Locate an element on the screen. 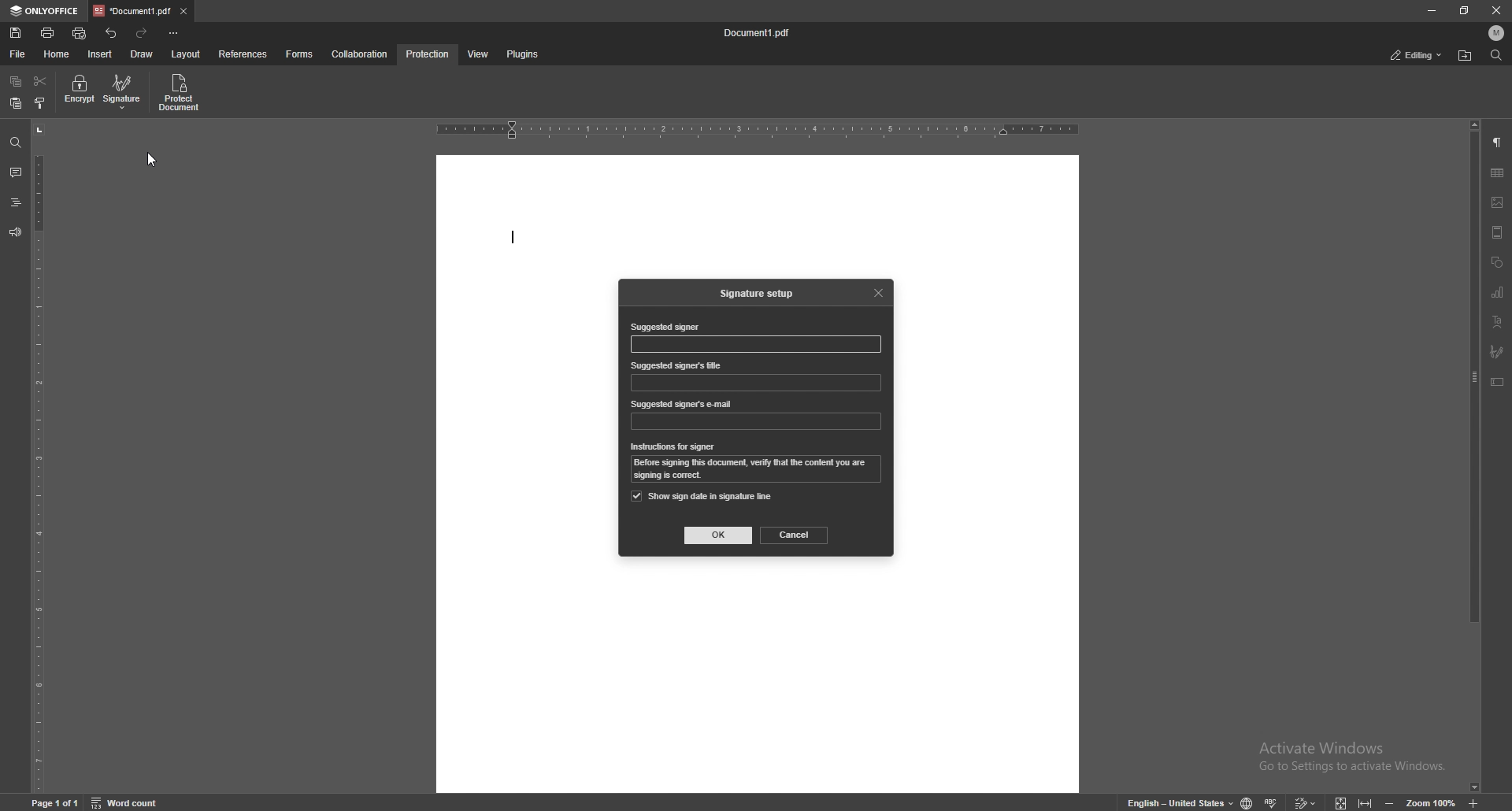 The width and height of the screenshot is (1512, 811). change text language is located at coordinates (1174, 802).